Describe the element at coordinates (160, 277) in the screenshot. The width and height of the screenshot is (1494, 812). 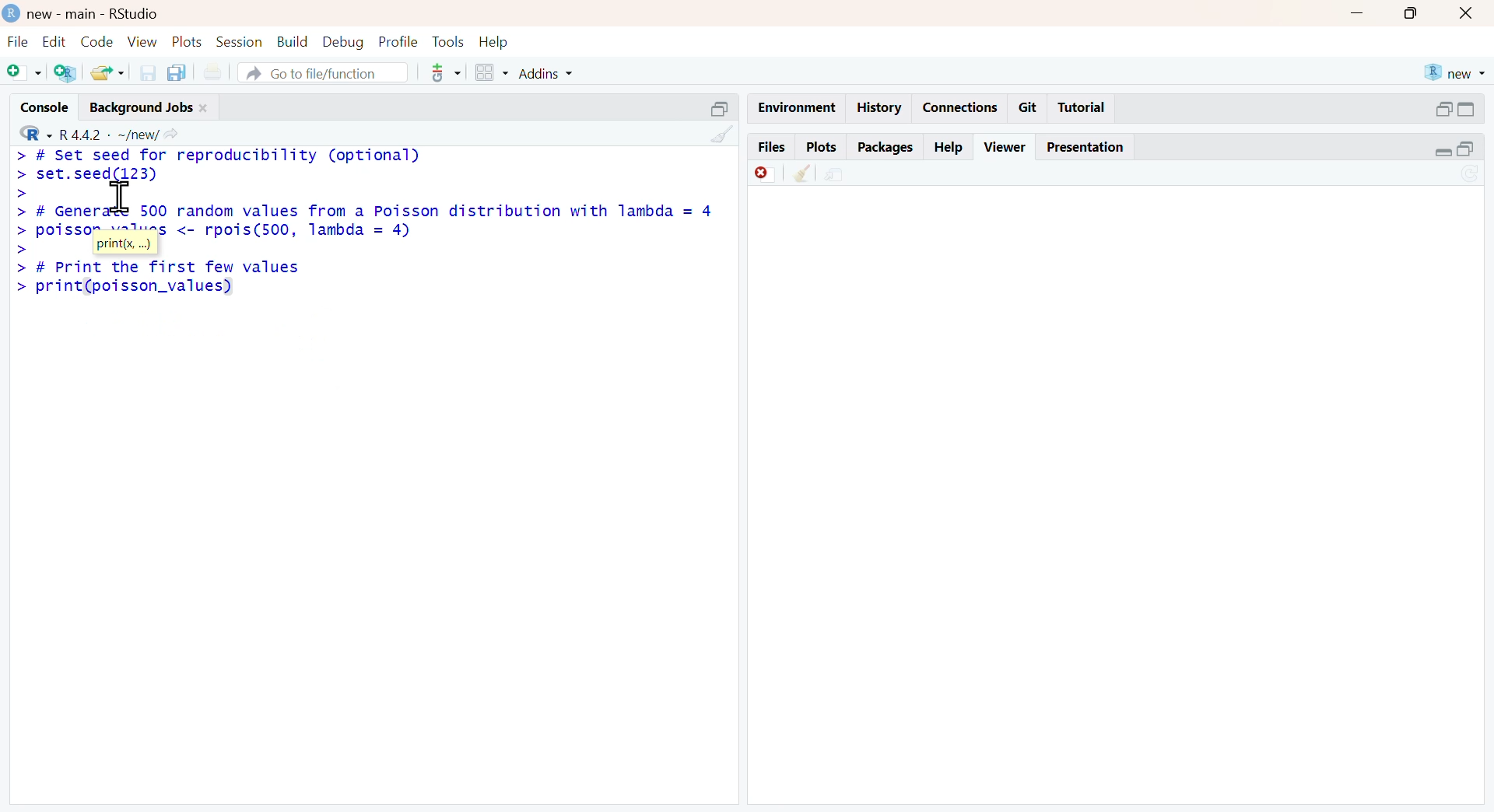
I see `> # Print the first few values
> print(poisson_values)` at that location.